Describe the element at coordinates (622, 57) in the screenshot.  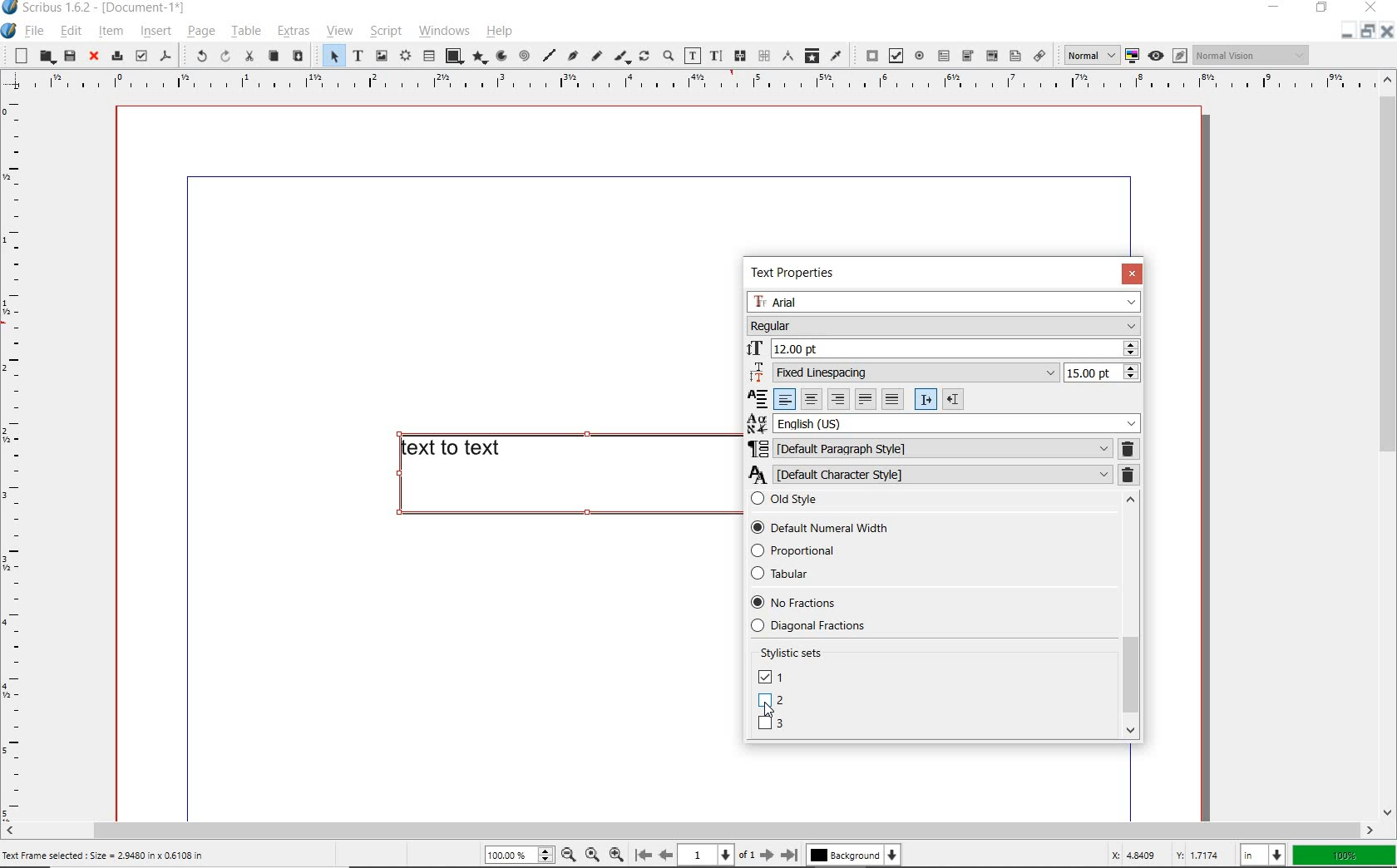
I see `calligraphic line` at that location.